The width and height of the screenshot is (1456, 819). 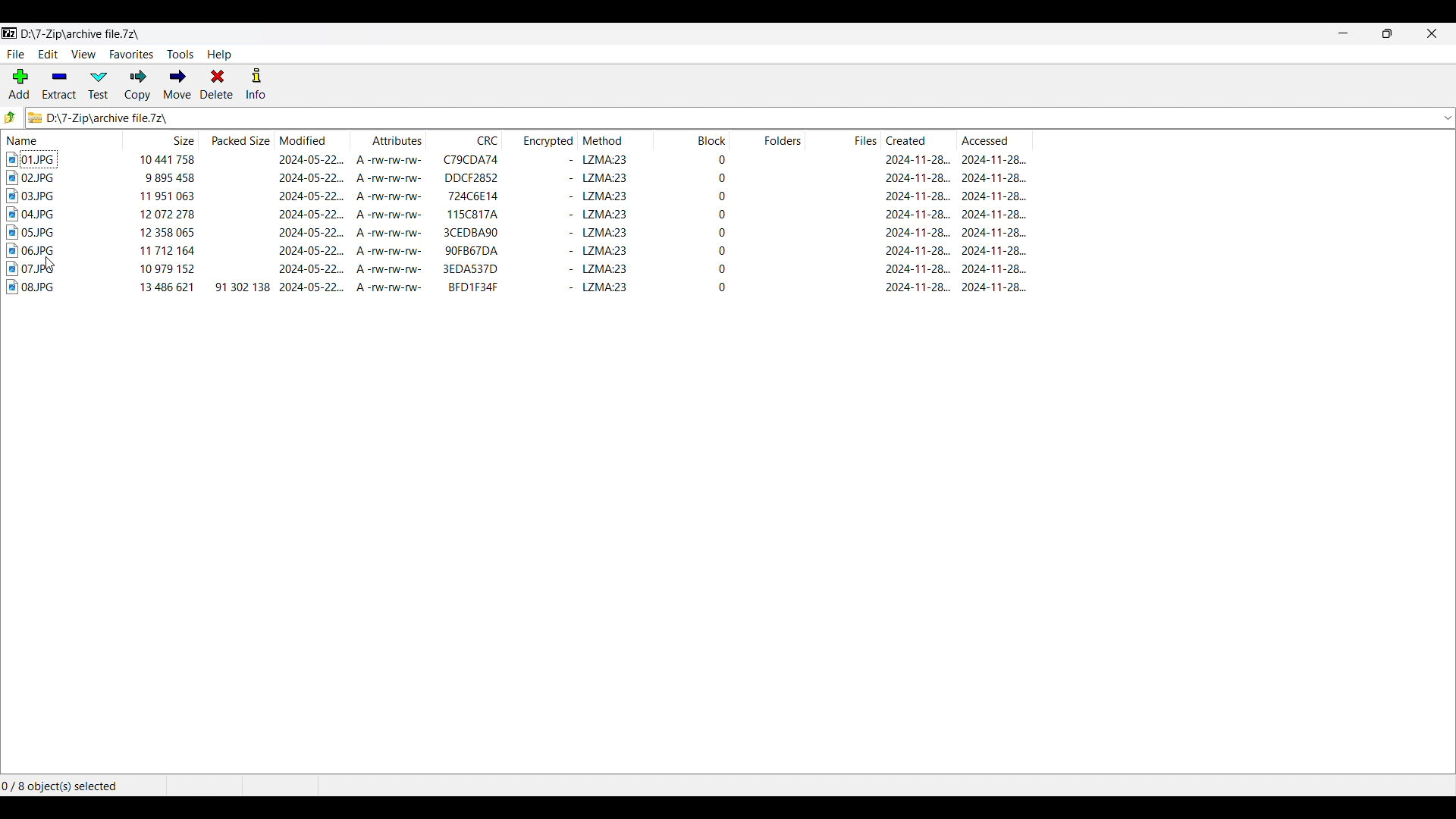 What do you see at coordinates (541, 140) in the screenshot?
I see `Encrypted column` at bounding box center [541, 140].